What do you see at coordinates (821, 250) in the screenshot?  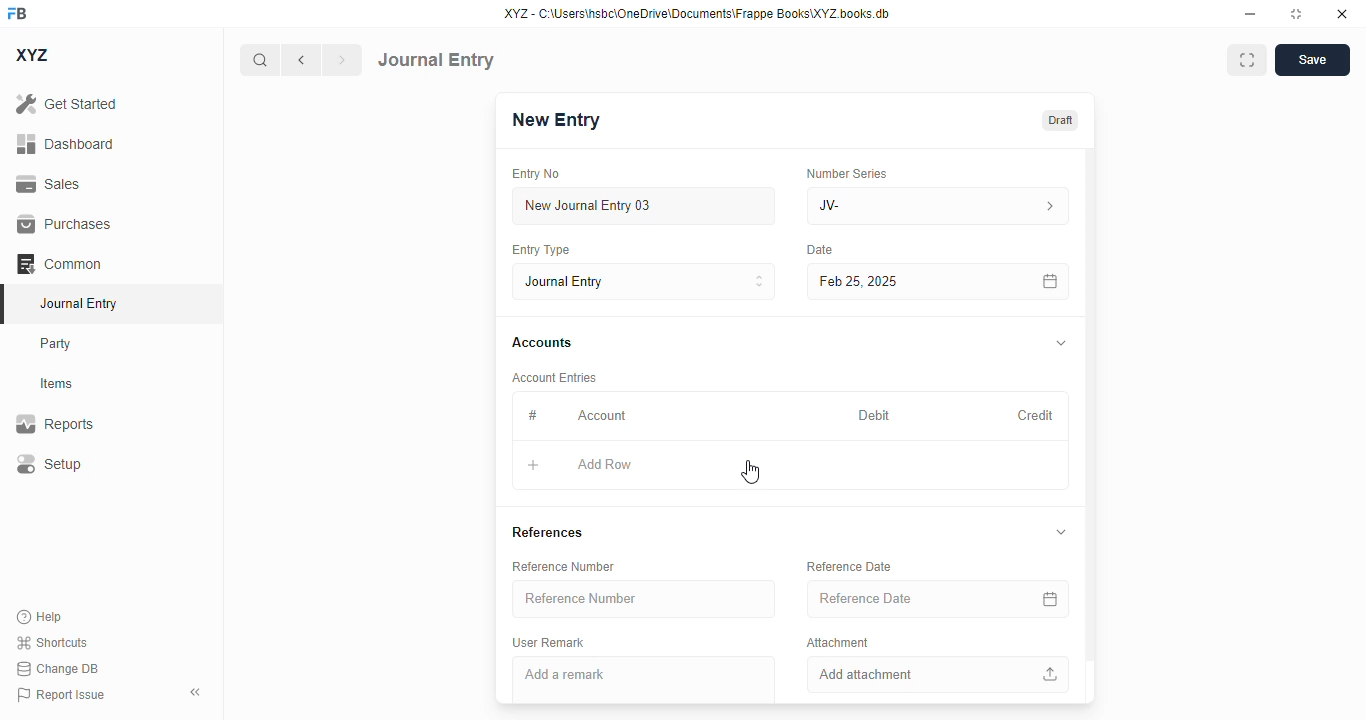 I see `date` at bounding box center [821, 250].